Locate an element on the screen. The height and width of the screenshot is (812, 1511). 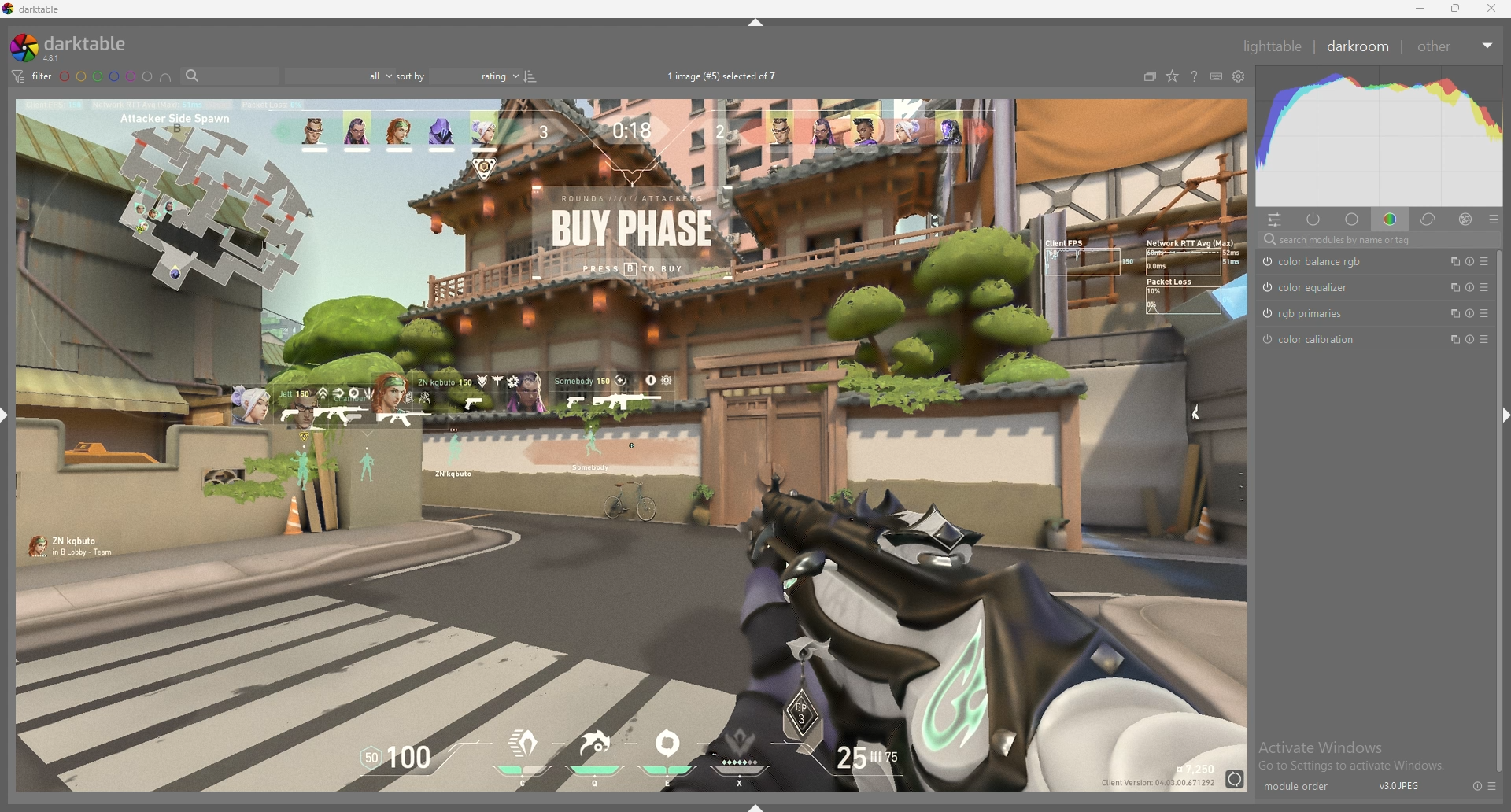
quick access panel is located at coordinates (1275, 220).